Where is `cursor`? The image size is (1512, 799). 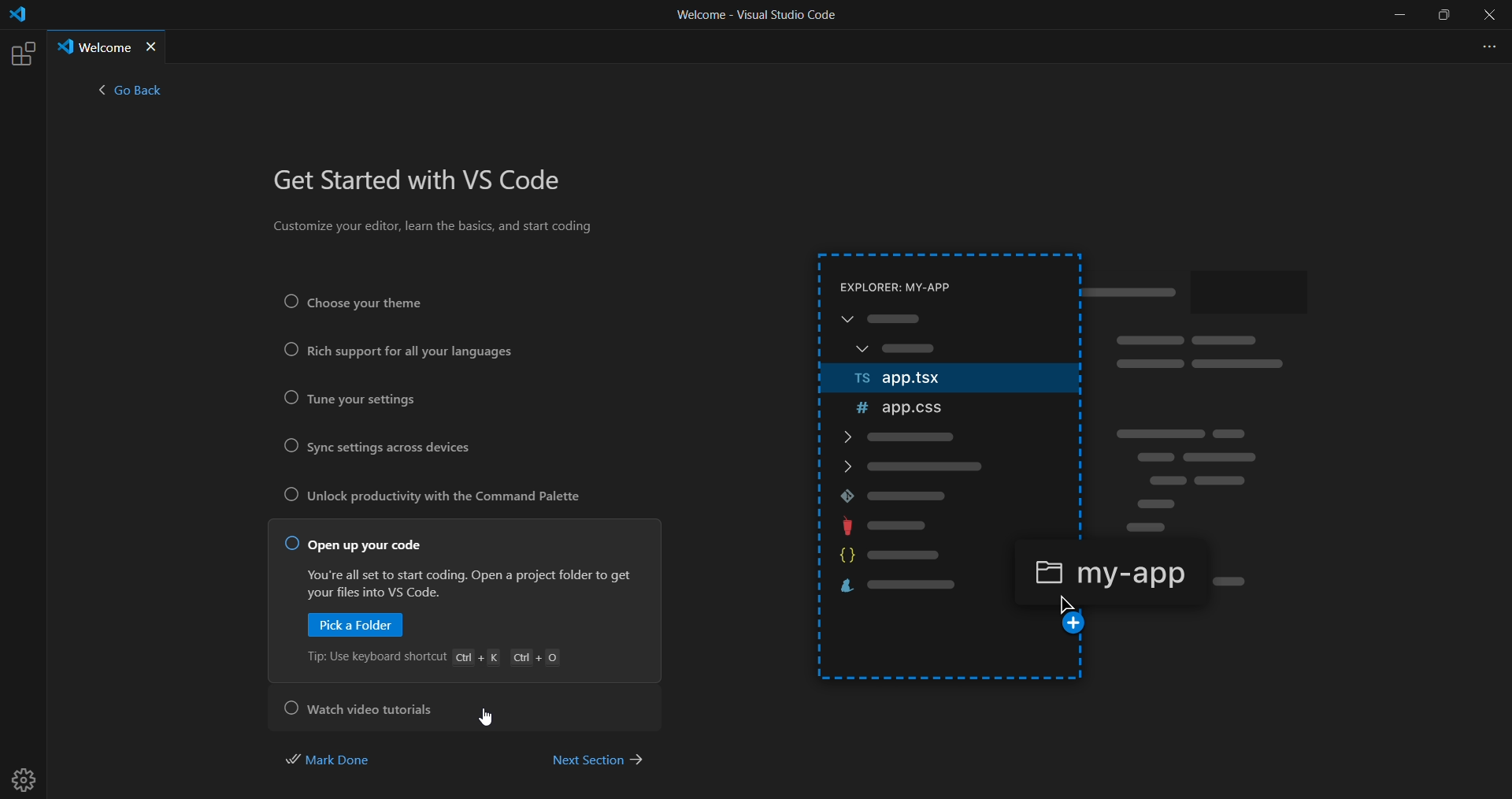 cursor is located at coordinates (491, 719).